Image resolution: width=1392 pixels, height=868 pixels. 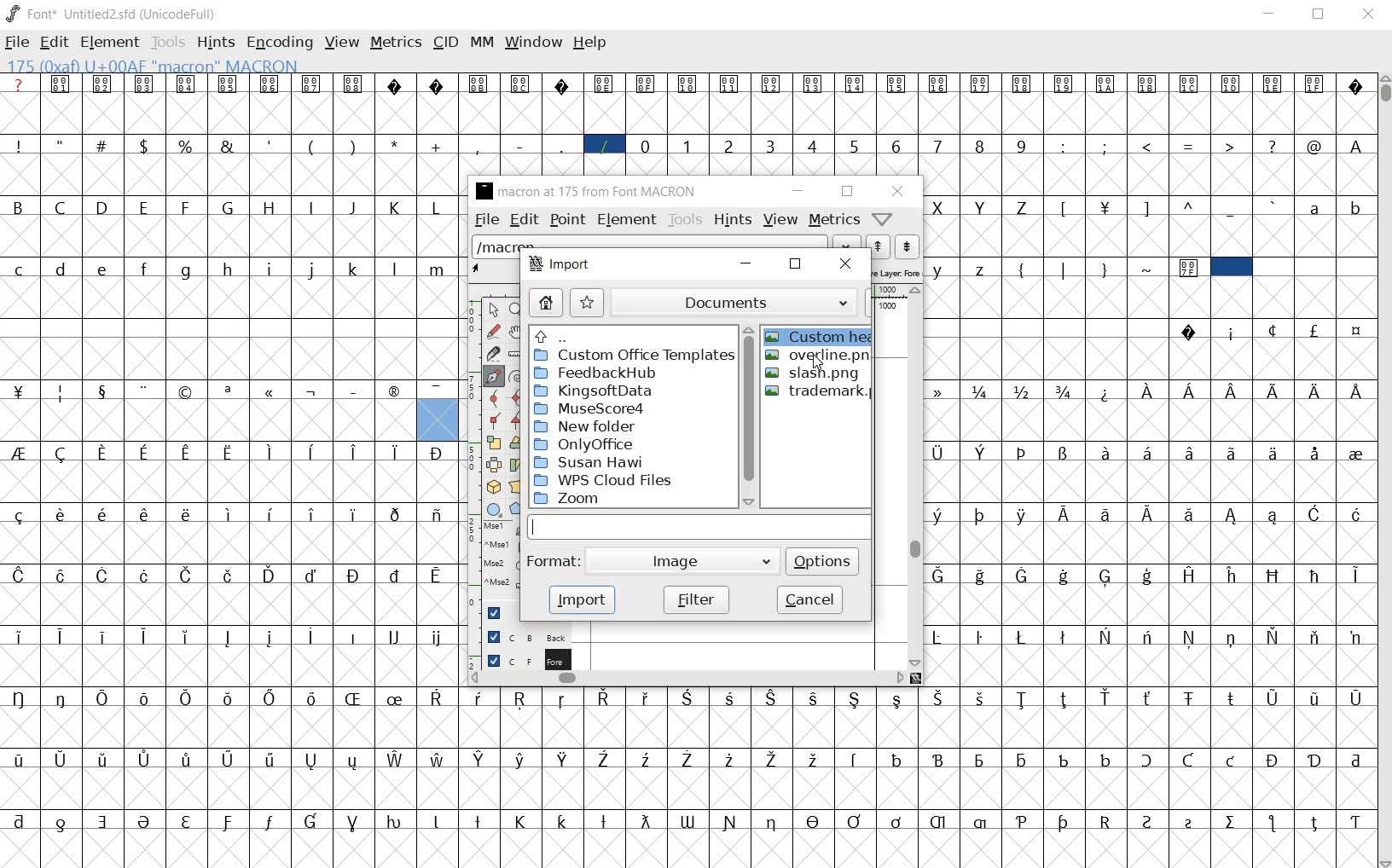 I want to click on Symbol, so click(x=1231, y=637).